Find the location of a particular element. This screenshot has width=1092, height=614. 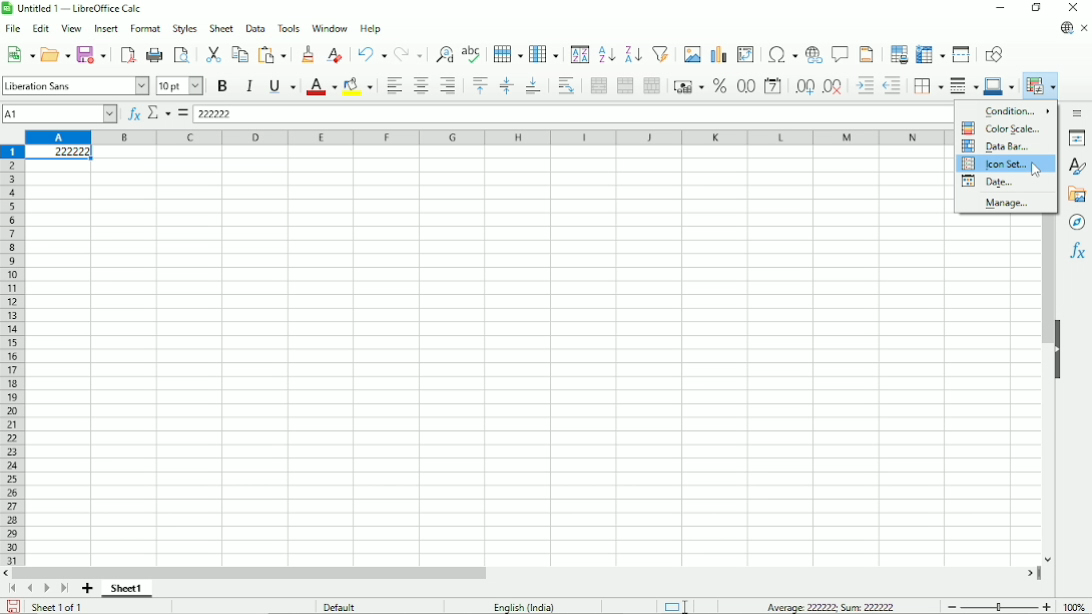

Add sheet is located at coordinates (88, 589).